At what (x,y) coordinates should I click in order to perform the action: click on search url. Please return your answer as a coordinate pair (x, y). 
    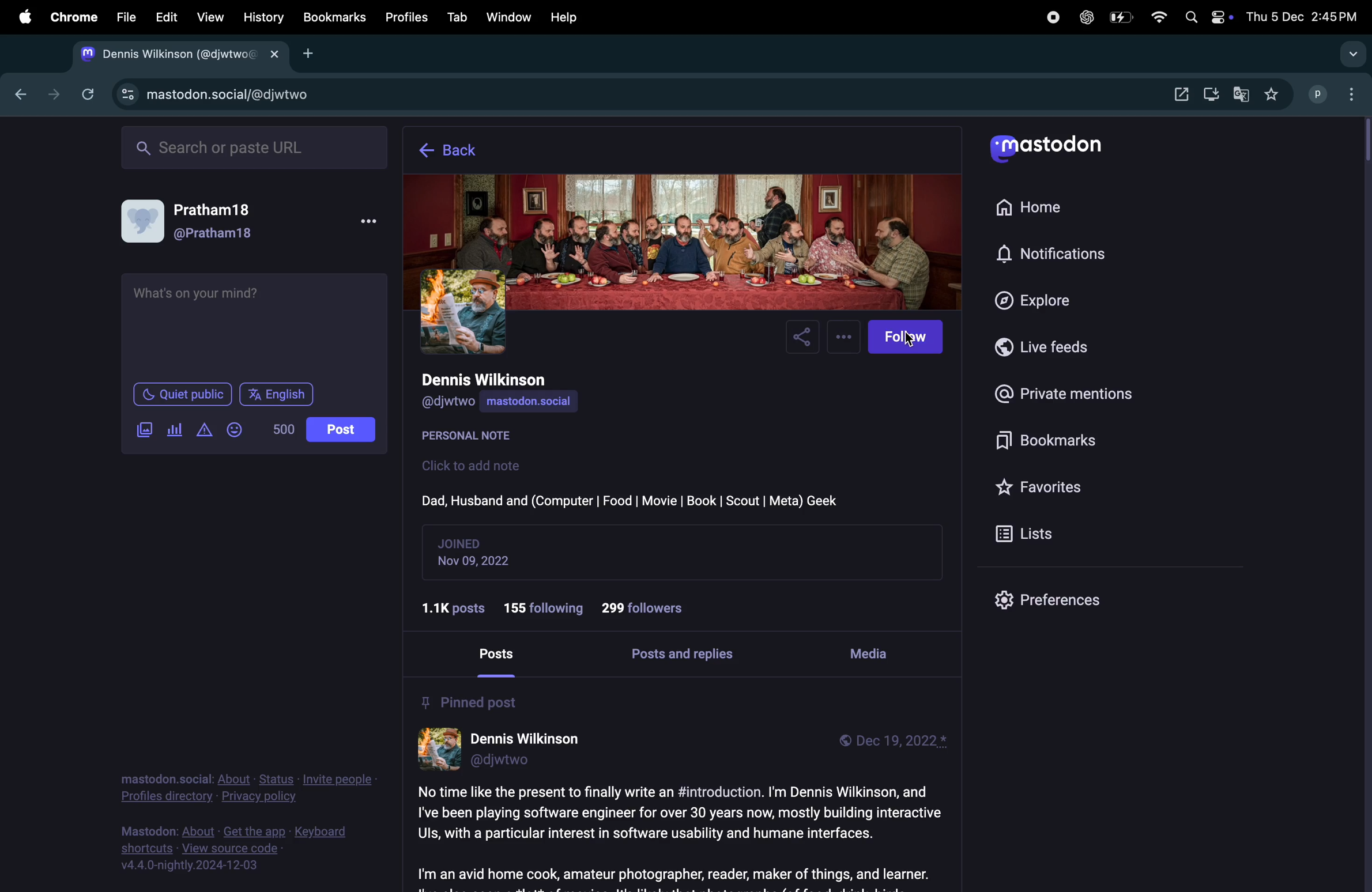
    Looking at the image, I should click on (250, 149).